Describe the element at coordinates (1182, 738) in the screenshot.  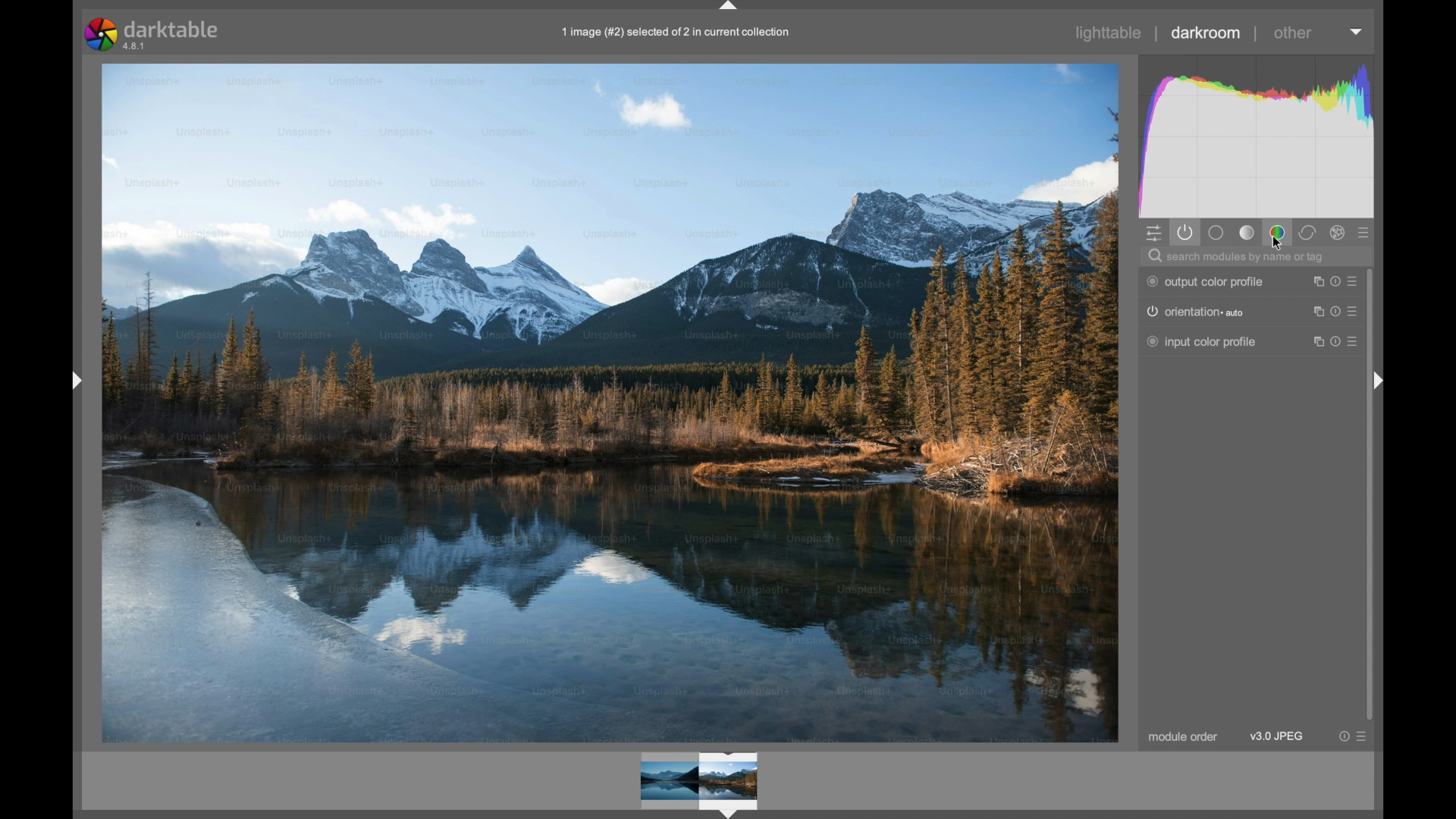
I see `module order` at that location.